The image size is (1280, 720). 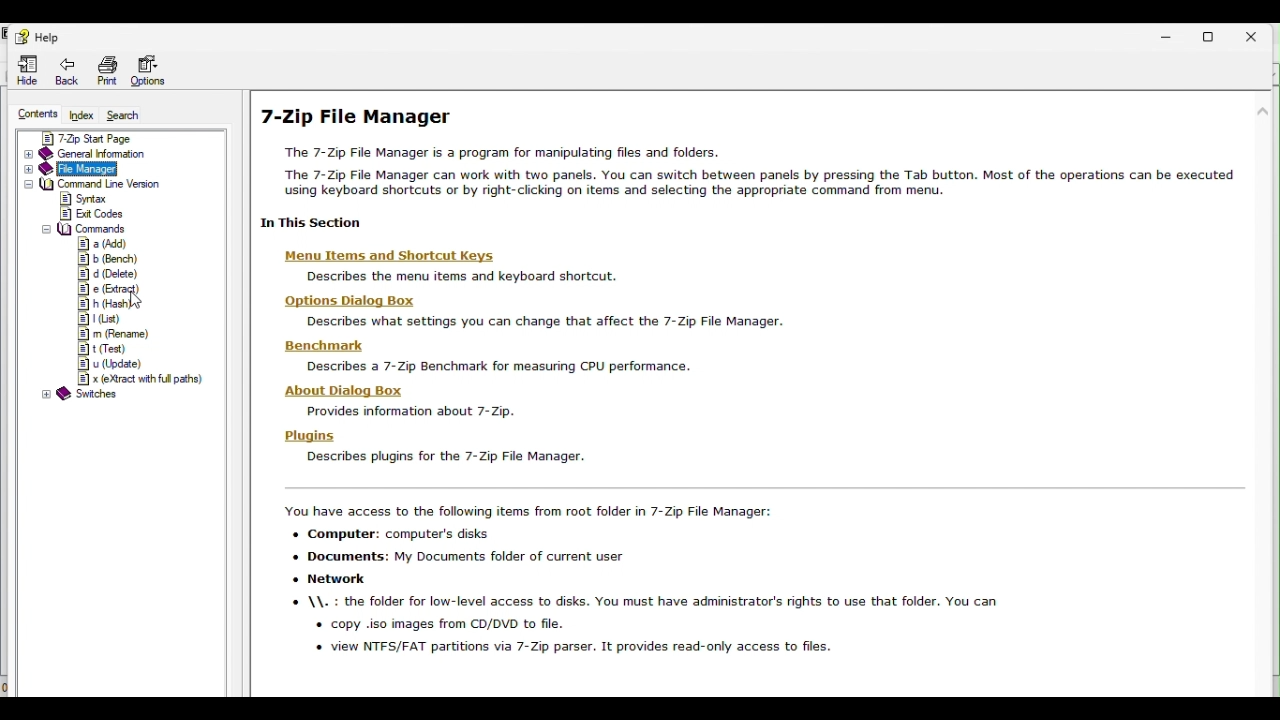 I want to click on print, so click(x=107, y=70).